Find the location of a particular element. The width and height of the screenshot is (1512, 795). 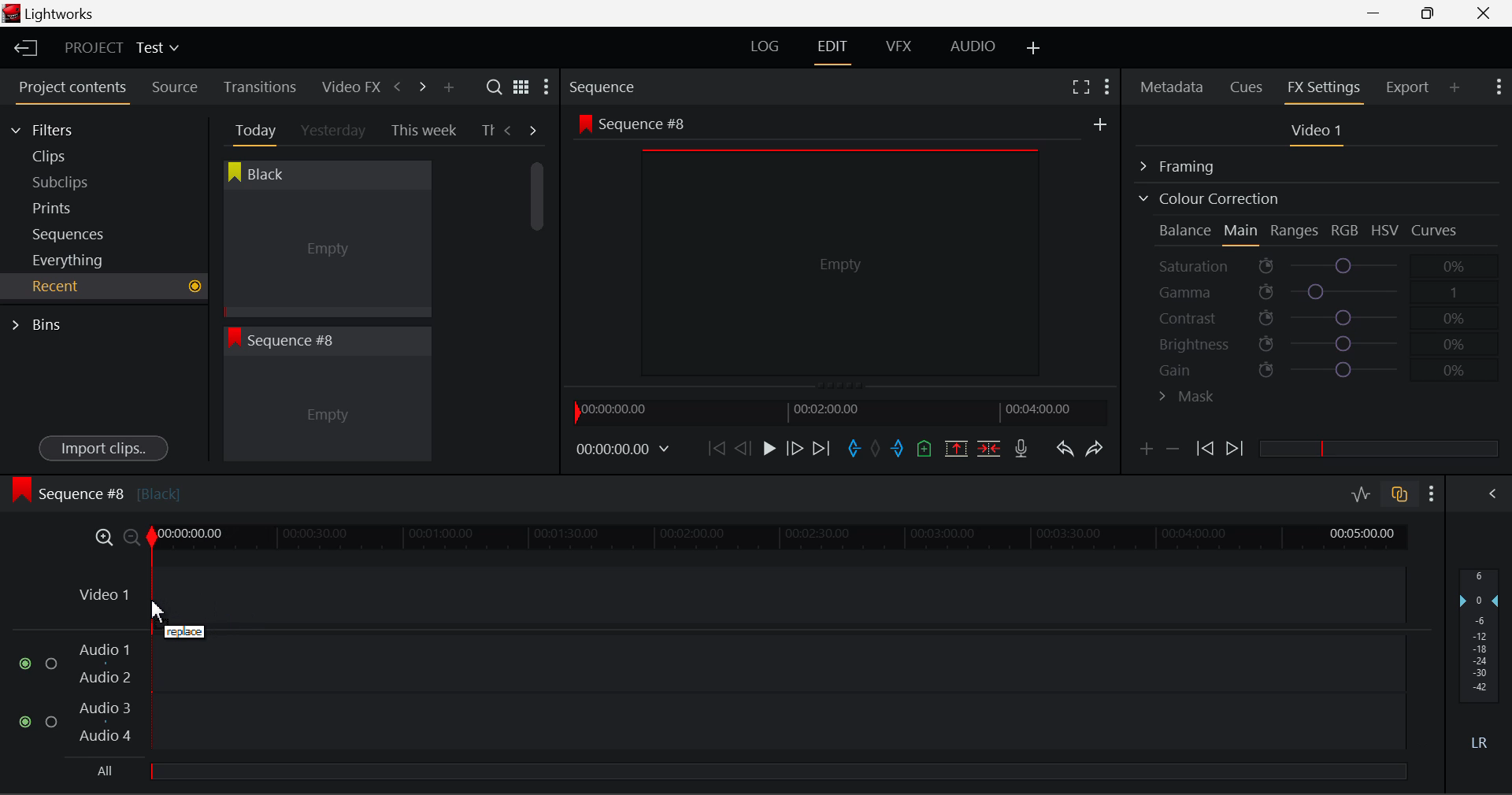

To Start is located at coordinates (715, 448).